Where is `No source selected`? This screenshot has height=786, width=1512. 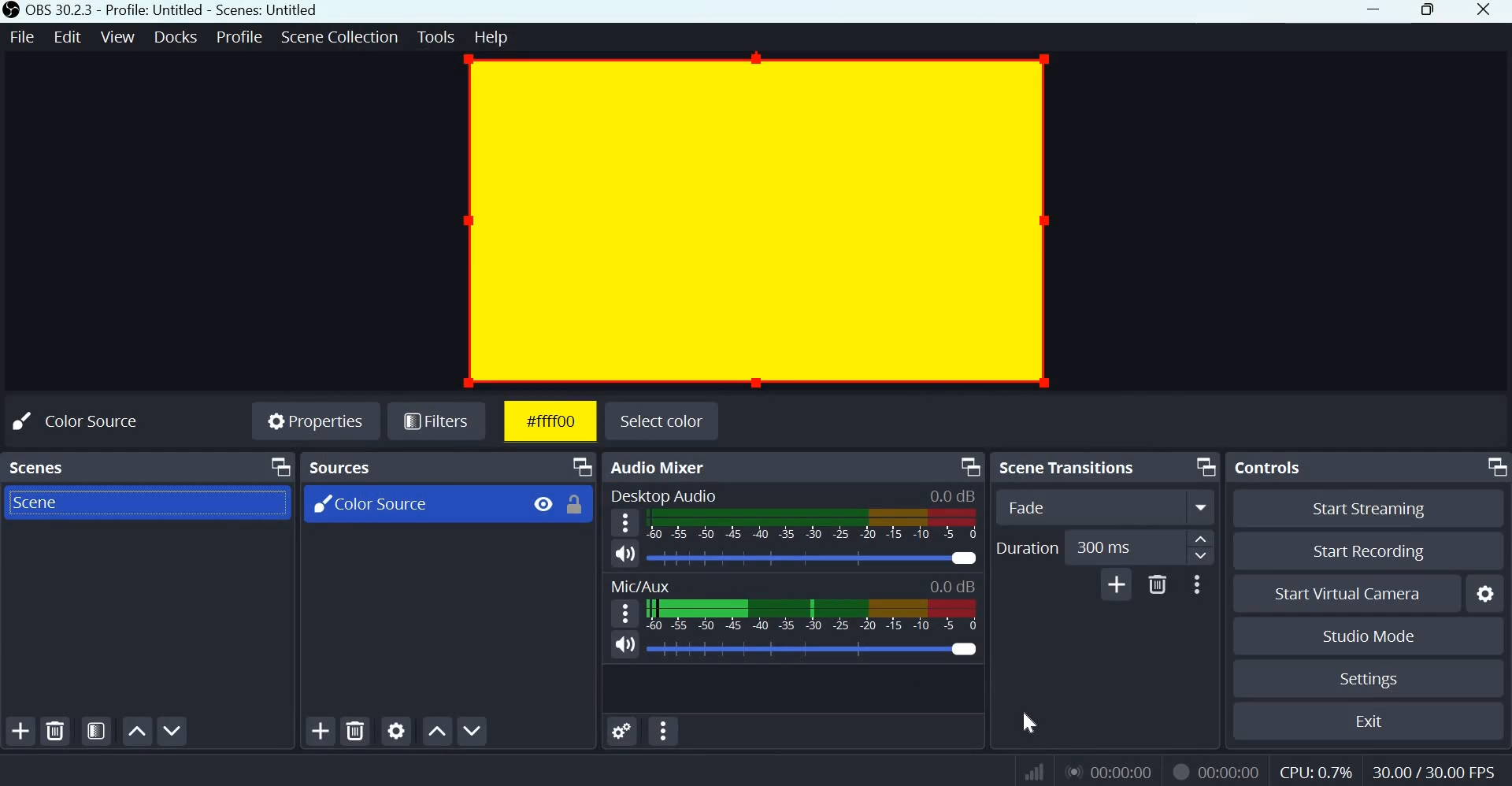 No source selected is located at coordinates (92, 420).